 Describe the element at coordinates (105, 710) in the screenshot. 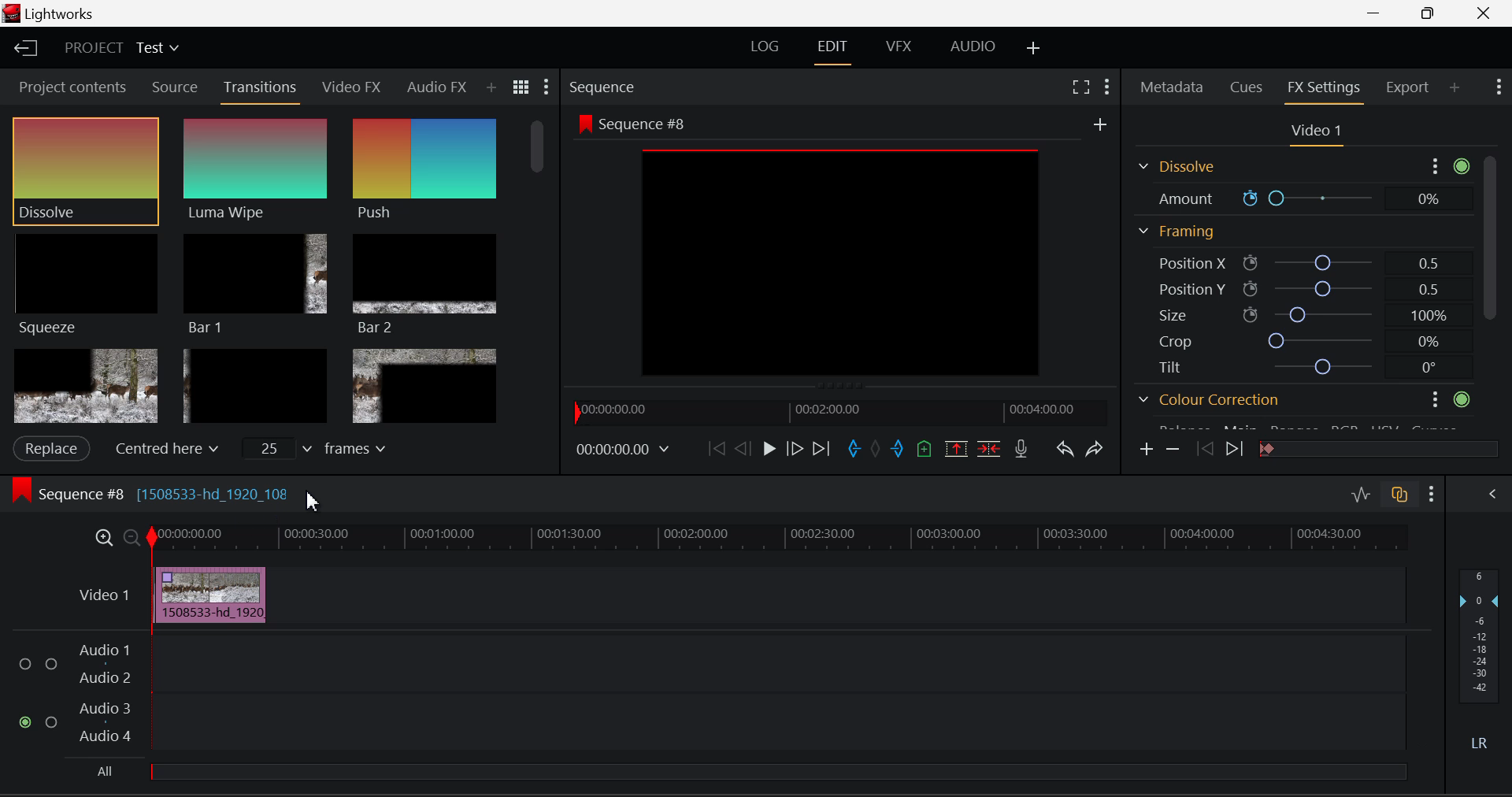

I see `Audio 3` at that location.